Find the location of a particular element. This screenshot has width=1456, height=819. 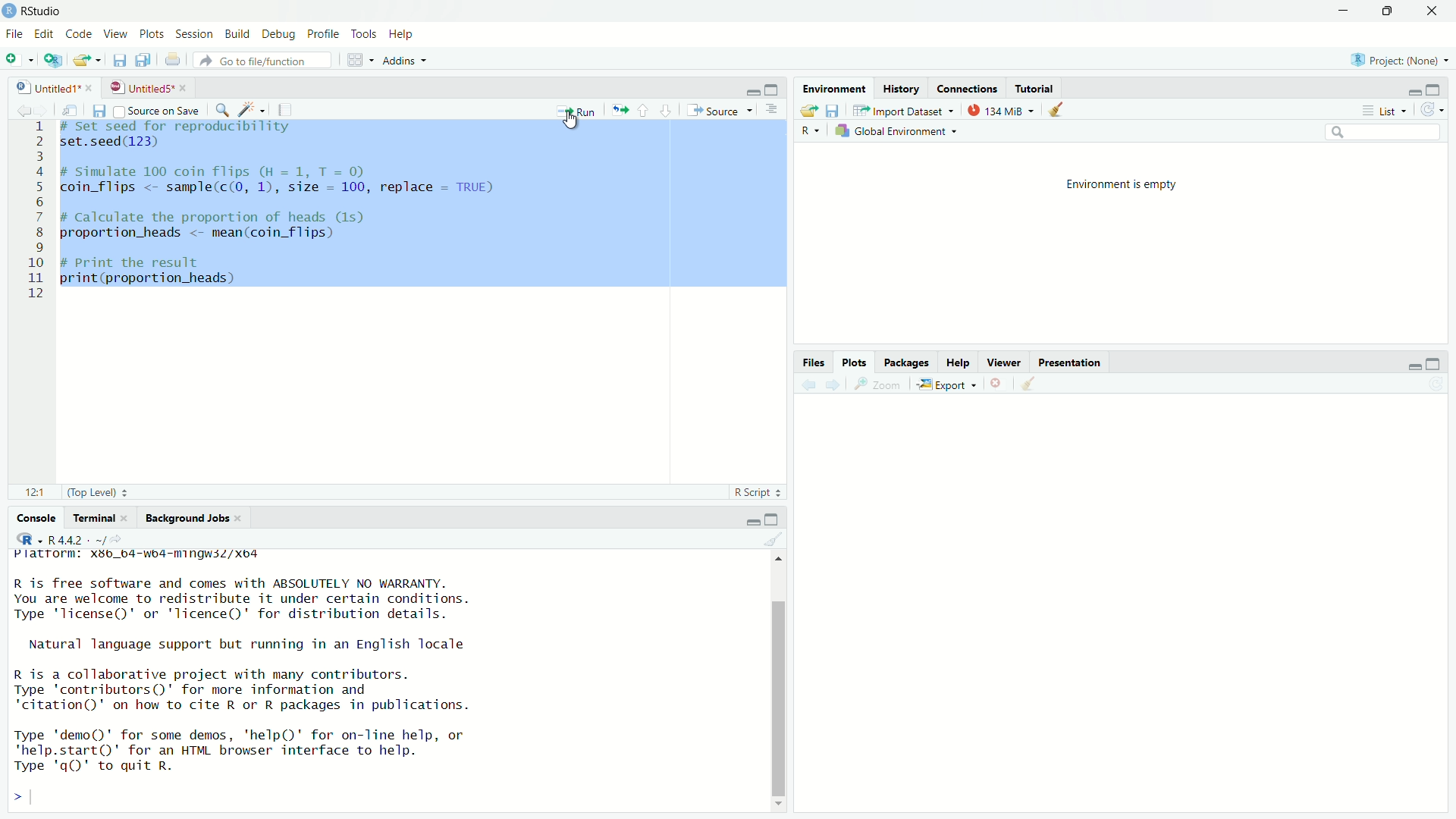

12:1 is located at coordinates (33, 493).